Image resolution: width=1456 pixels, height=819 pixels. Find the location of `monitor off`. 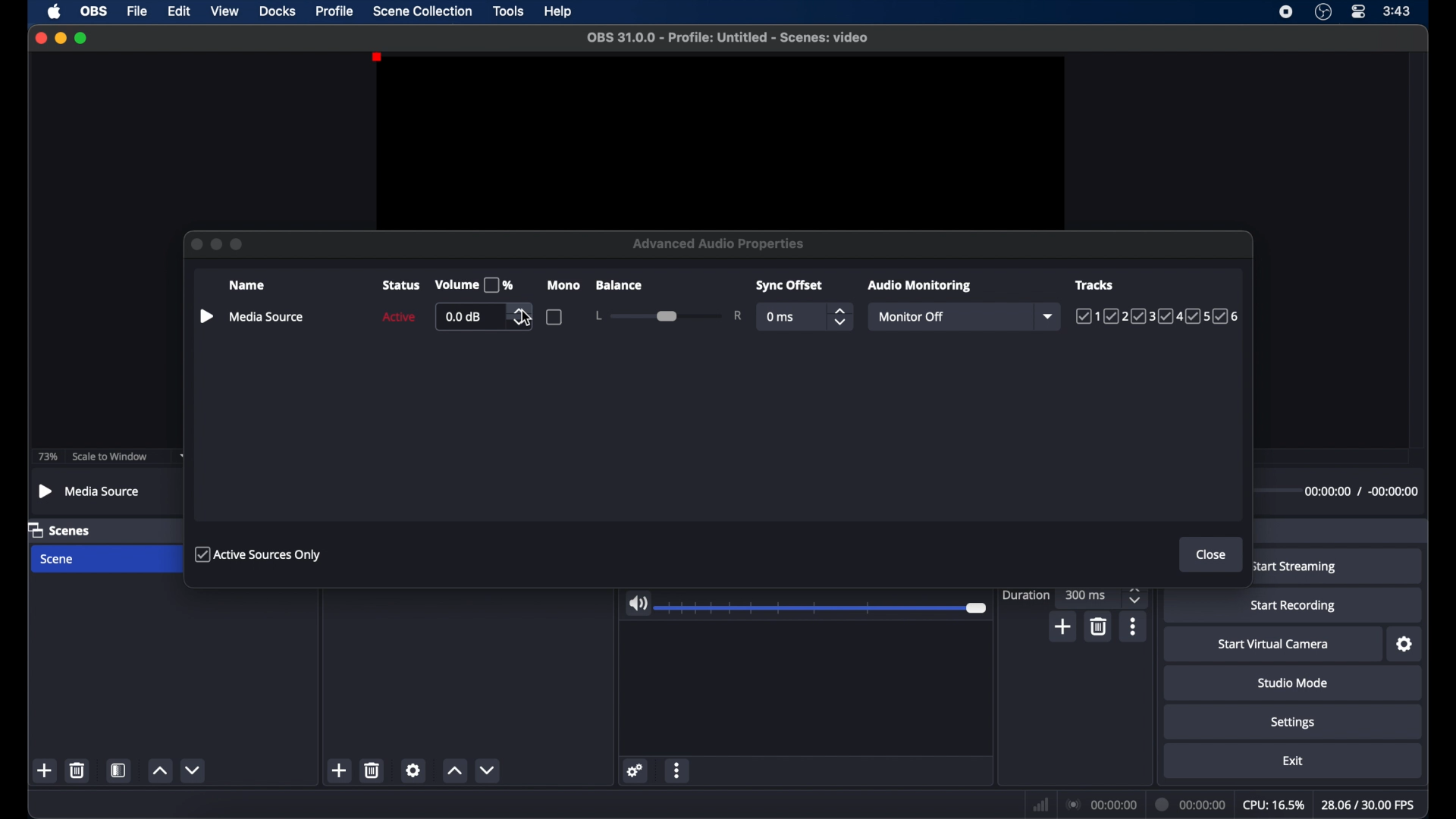

monitor off is located at coordinates (910, 317).